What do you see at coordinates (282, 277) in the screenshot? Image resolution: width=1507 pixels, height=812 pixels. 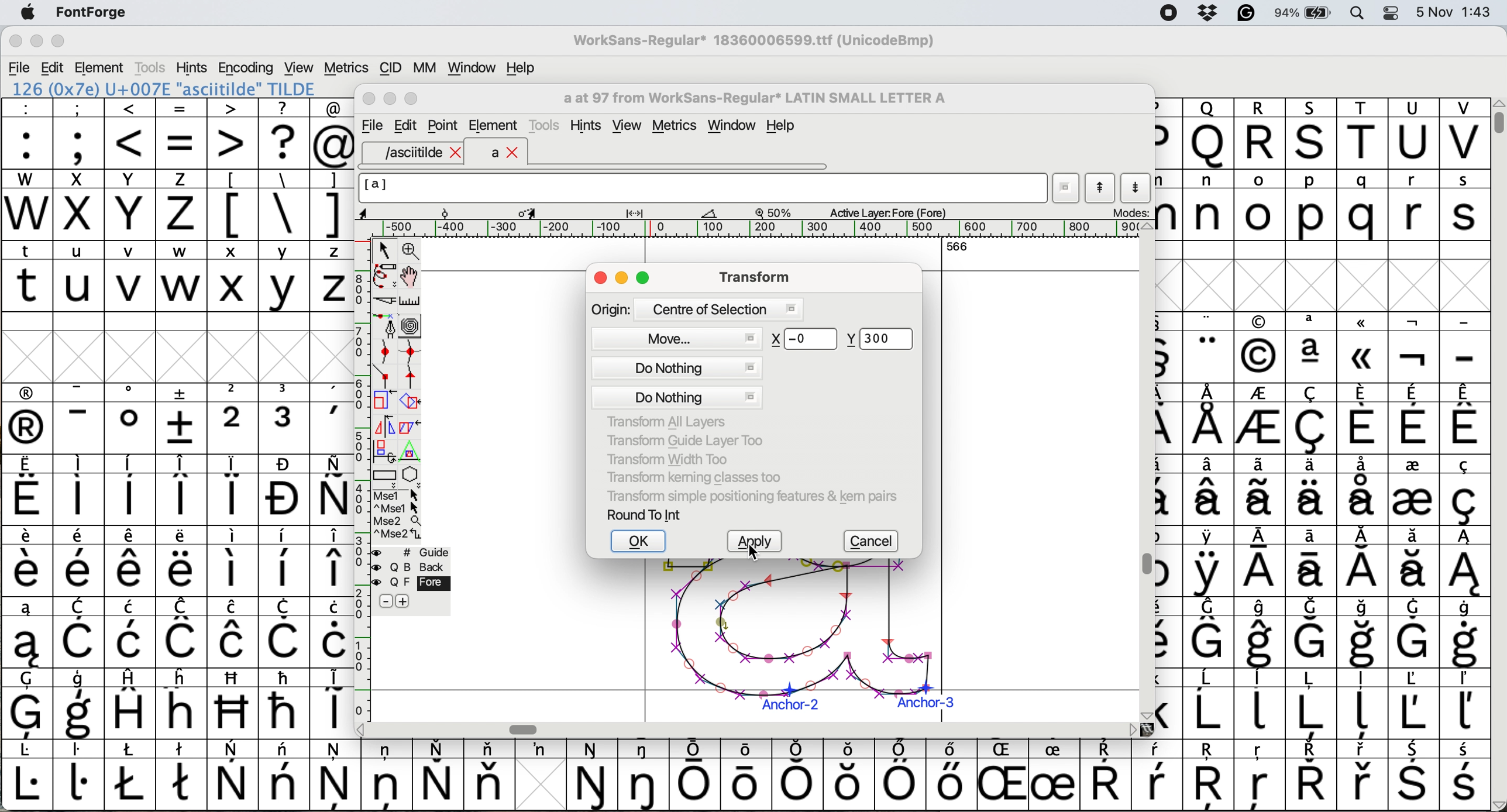 I see `y` at bounding box center [282, 277].